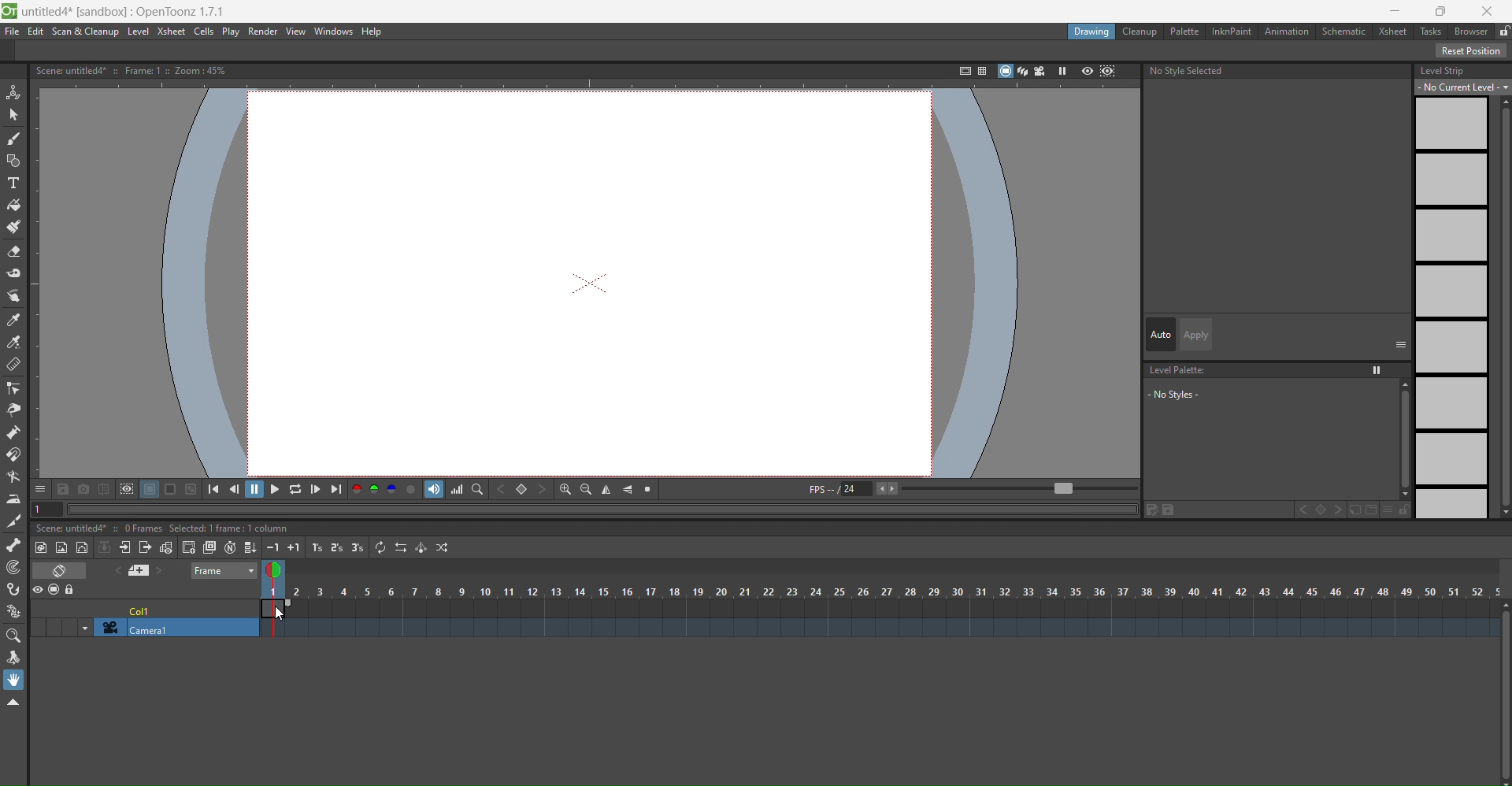  I want to click on type tool, so click(13, 184).